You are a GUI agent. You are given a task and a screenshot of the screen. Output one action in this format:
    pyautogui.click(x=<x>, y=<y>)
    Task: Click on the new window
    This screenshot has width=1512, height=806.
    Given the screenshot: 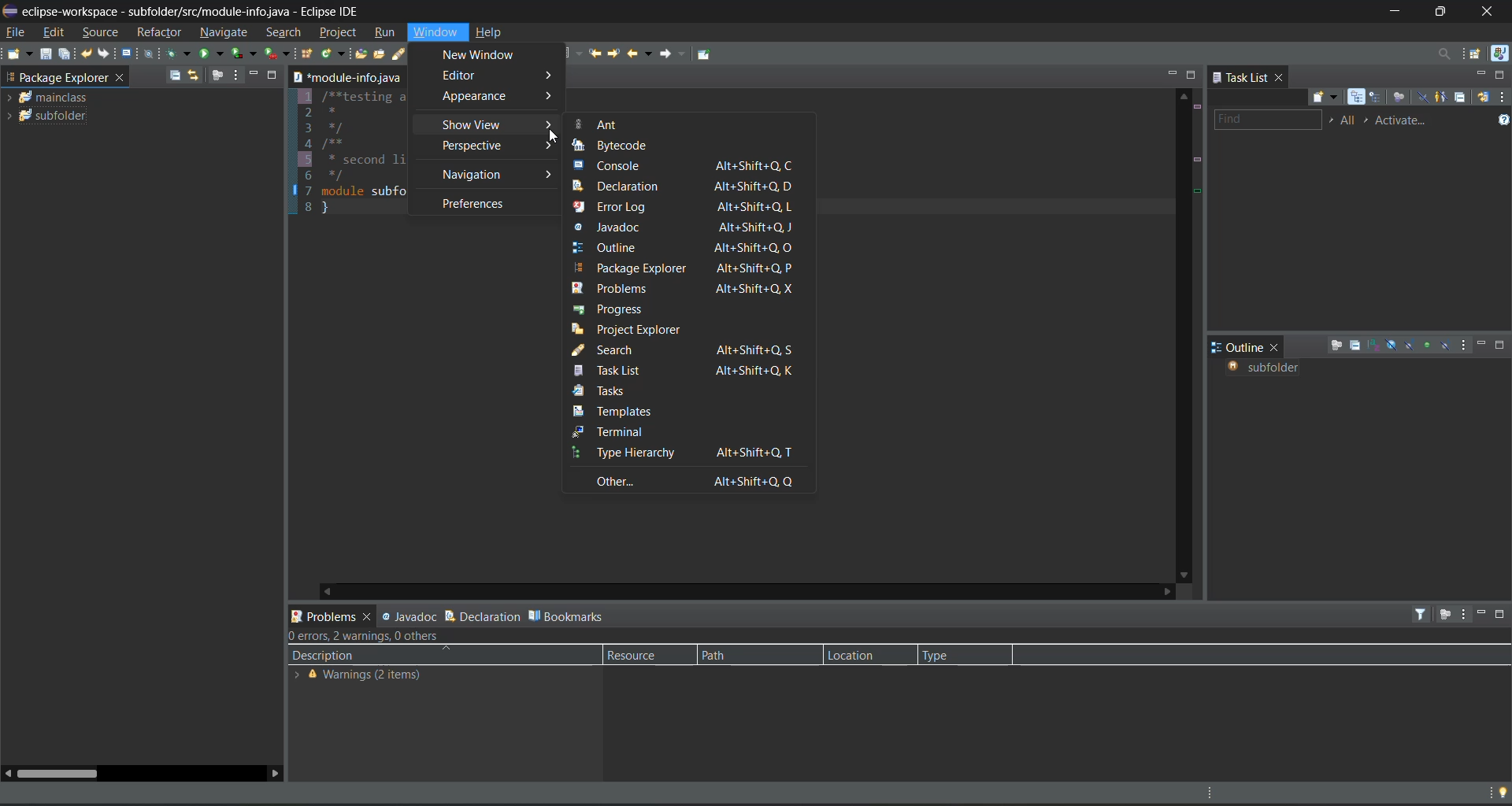 What is the action you would take?
    pyautogui.click(x=489, y=56)
    